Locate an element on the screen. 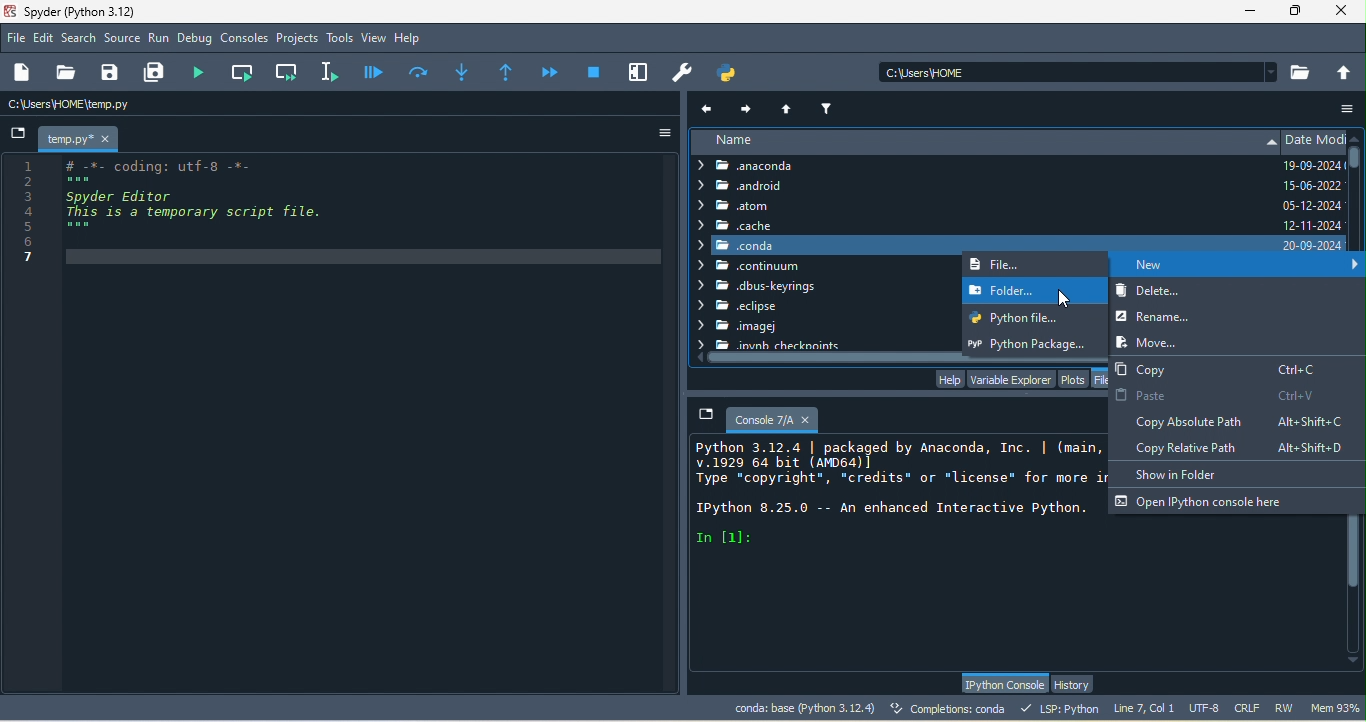 This screenshot has height=722, width=1366. horizontal scroll bar is located at coordinates (900, 358).